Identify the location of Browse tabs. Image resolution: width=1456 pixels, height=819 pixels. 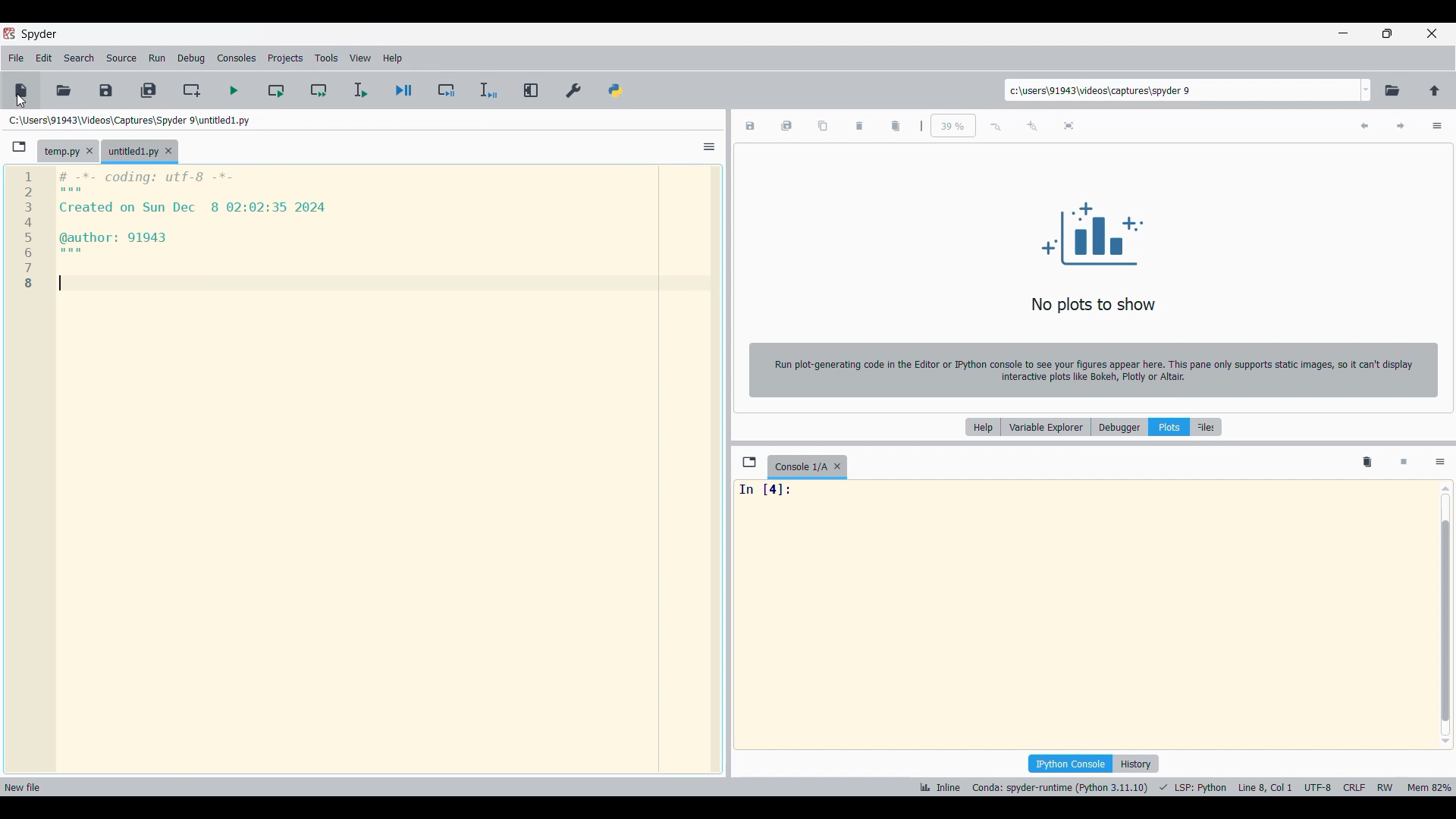
(749, 462).